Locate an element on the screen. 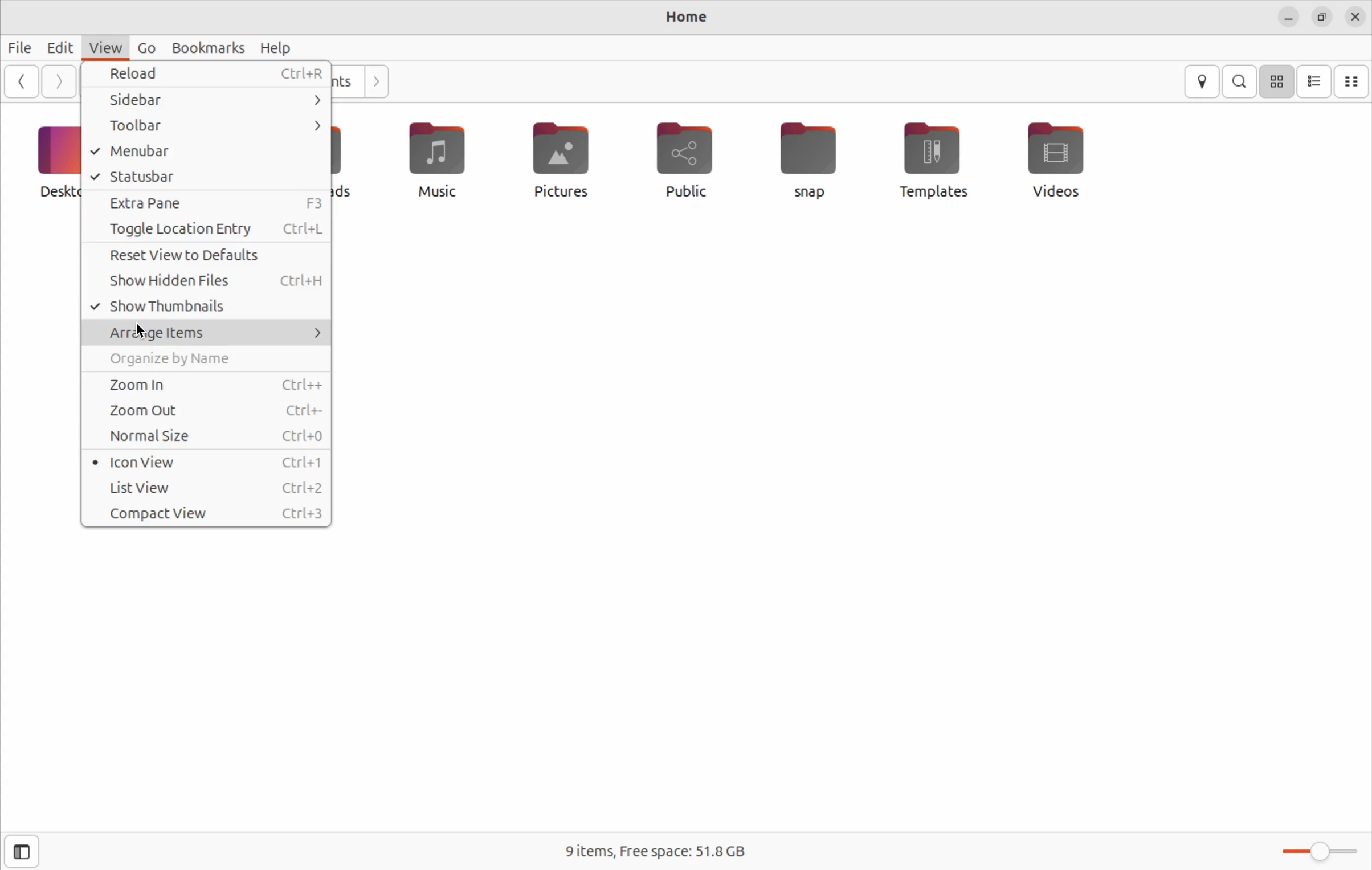 This screenshot has width=1372, height=870. pictures is located at coordinates (557, 162).